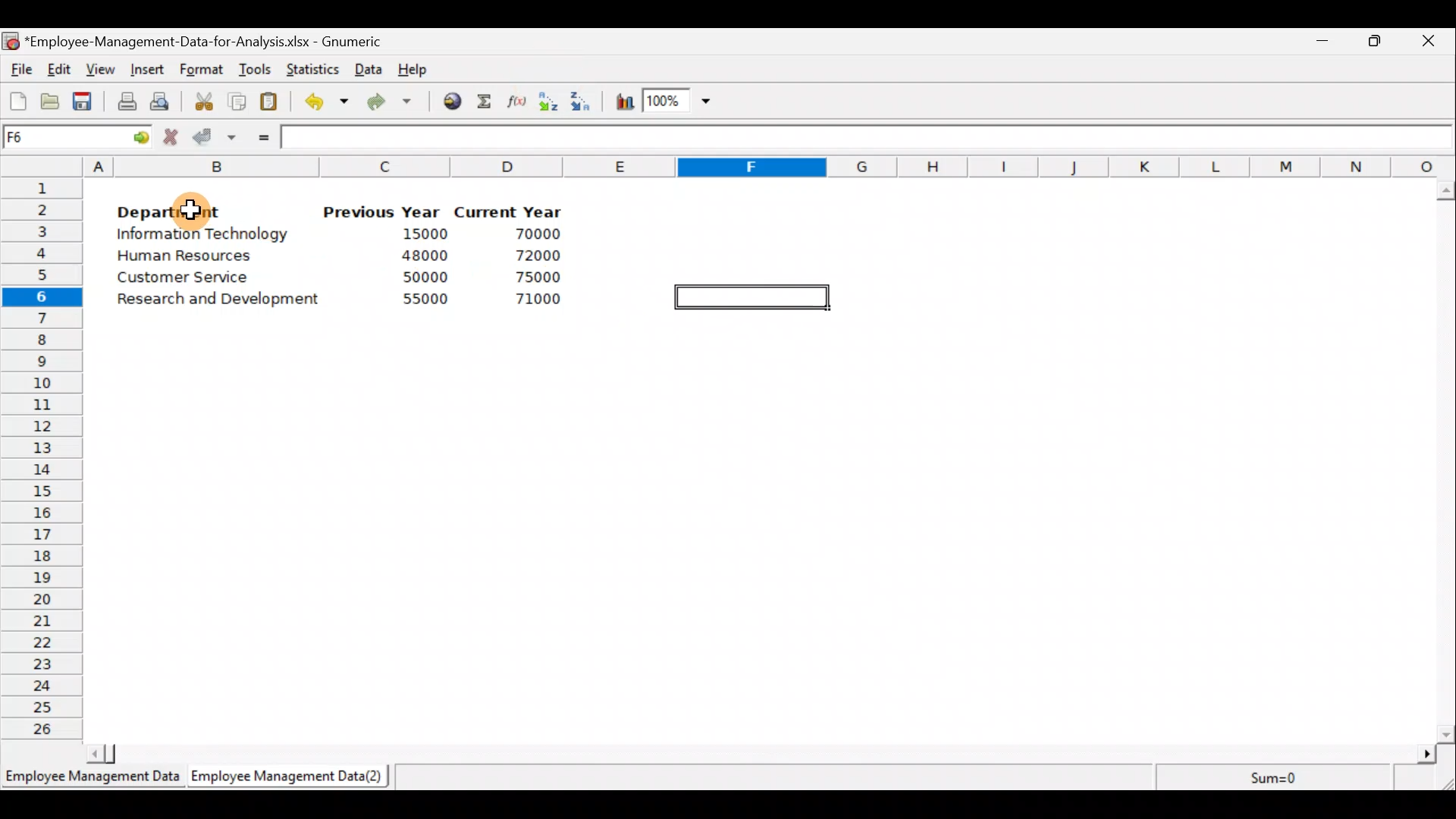  What do you see at coordinates (318, 98) in the screenshot?
I see `Undo last action` at bounding box center [318, 98].